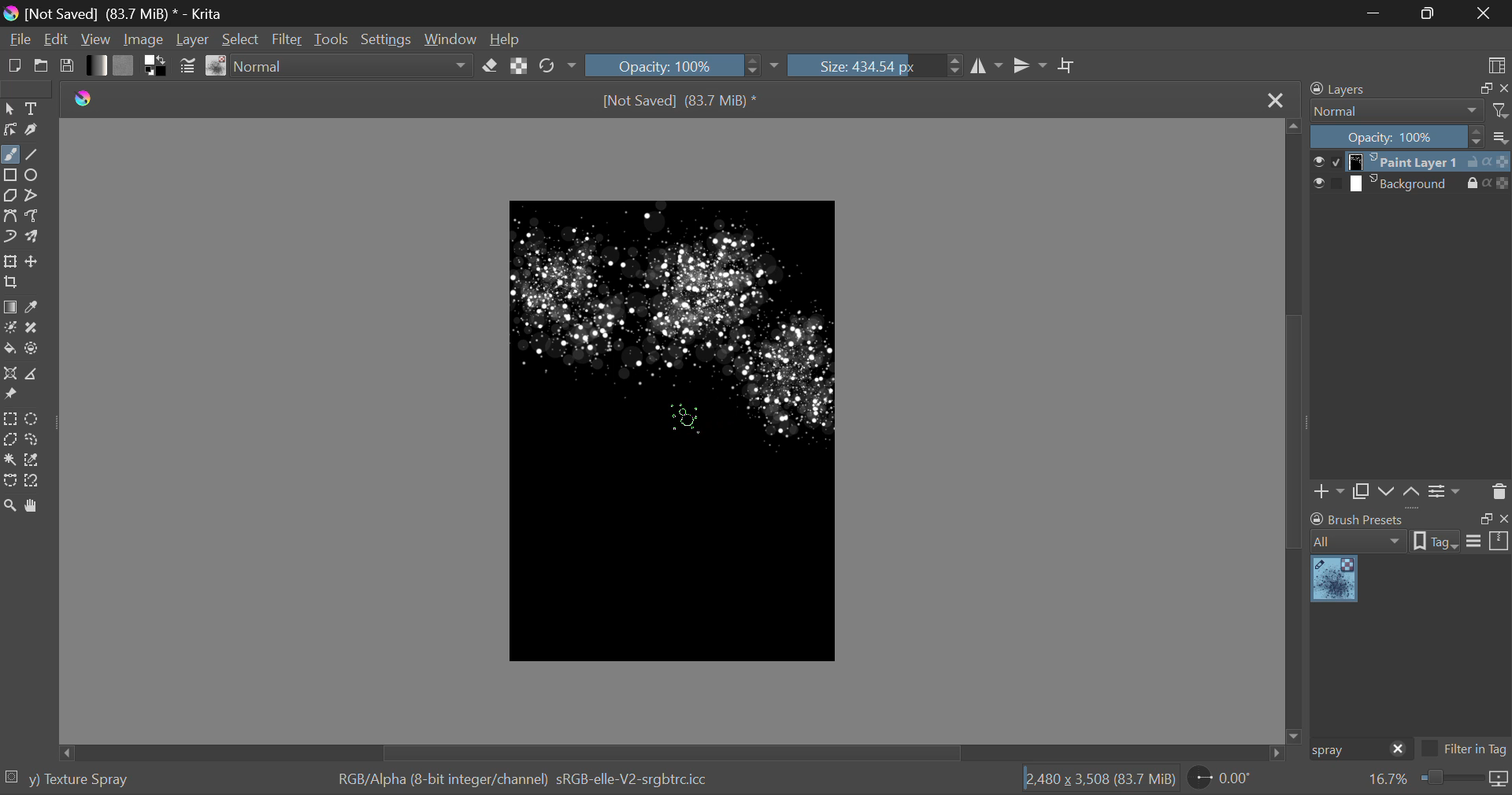 The width and height of the screenshot is (1512, 795). What do you see at coordinates (506, 36) in the screenshot?
I see `Help` at bounding box center [506, 36].